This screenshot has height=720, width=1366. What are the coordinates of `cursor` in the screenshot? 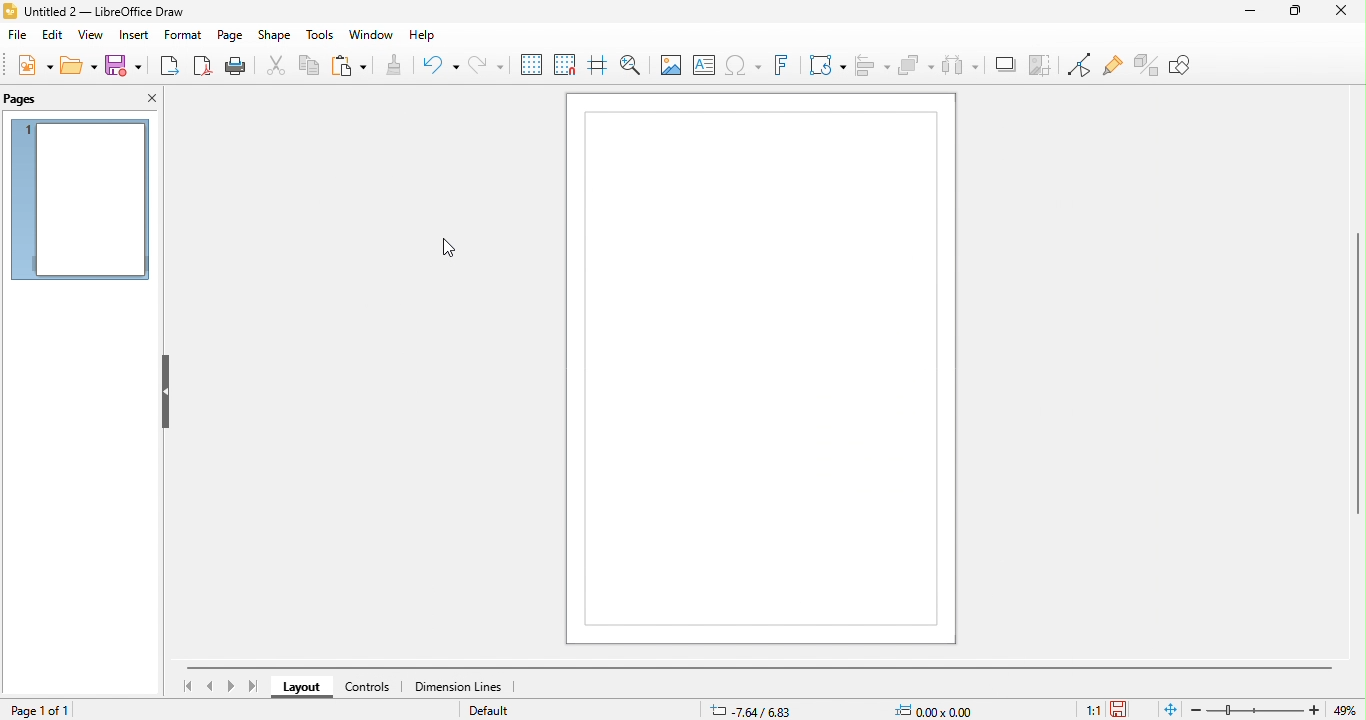 It's located at (444, 248).